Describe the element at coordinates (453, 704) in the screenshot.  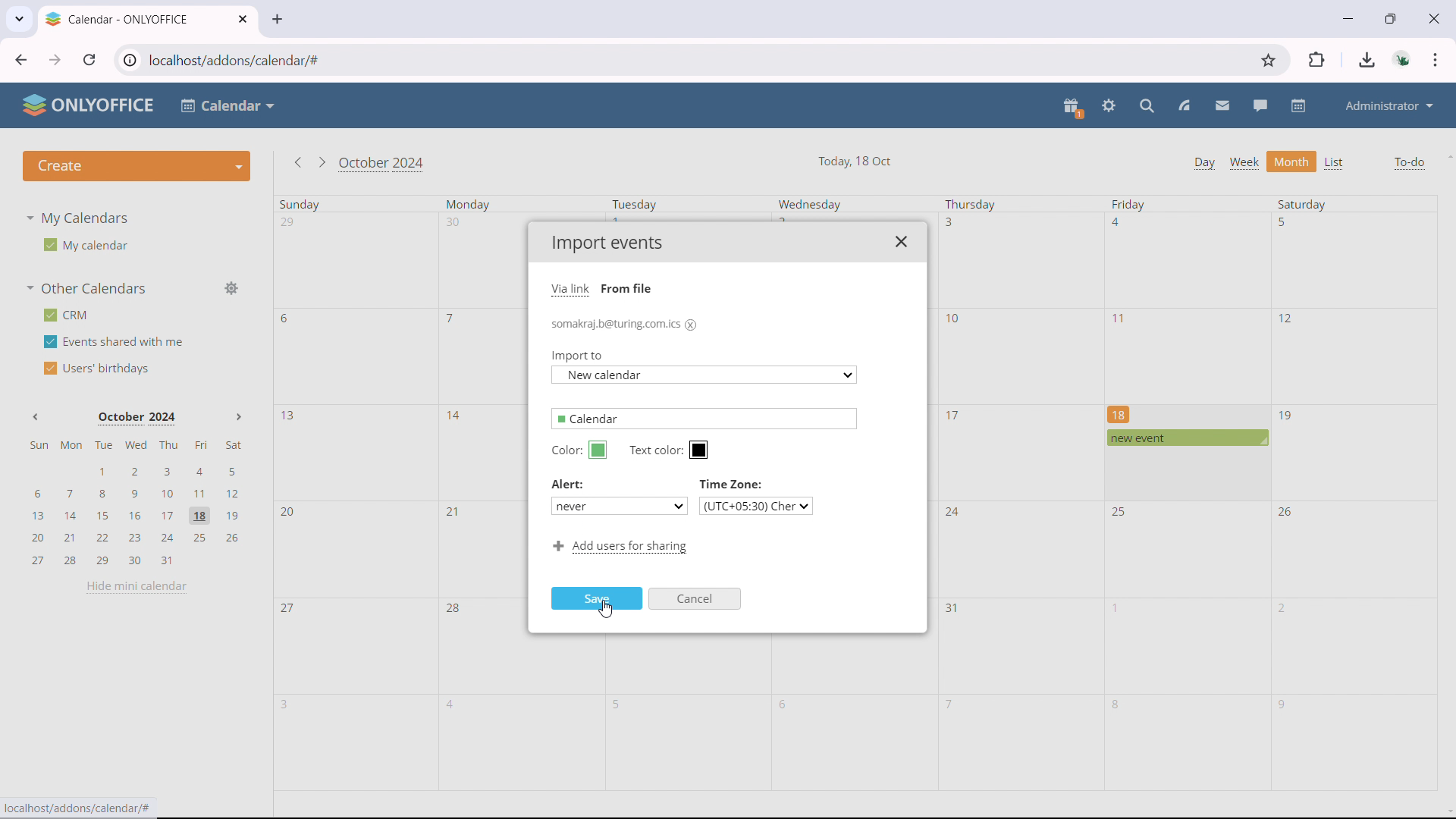
I see `4` at that location.